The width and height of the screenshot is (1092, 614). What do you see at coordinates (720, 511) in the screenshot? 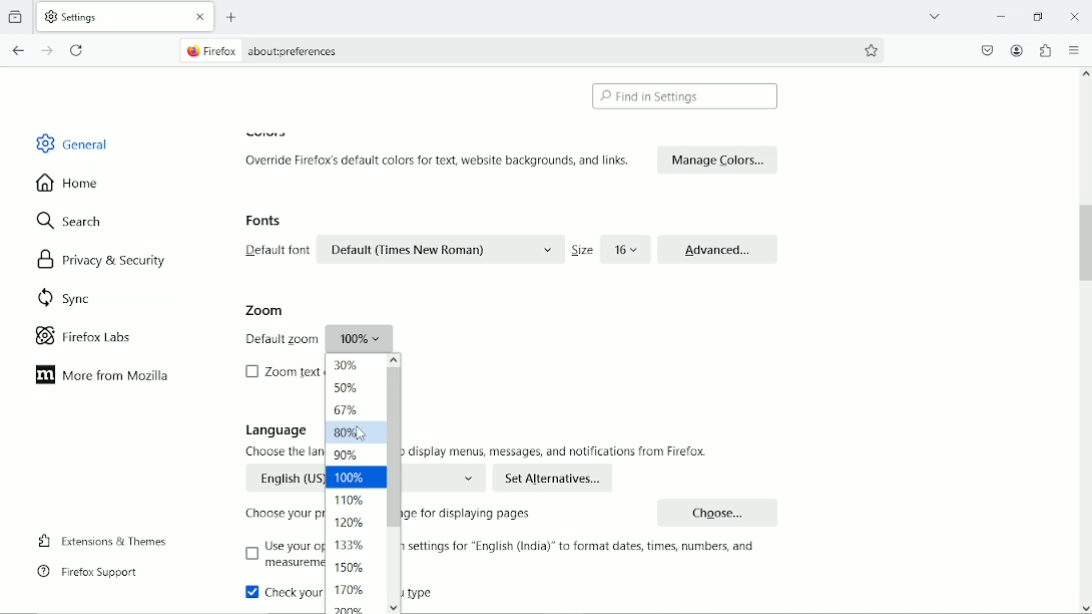
I see `Choose...` at bounding box center [720, 511].